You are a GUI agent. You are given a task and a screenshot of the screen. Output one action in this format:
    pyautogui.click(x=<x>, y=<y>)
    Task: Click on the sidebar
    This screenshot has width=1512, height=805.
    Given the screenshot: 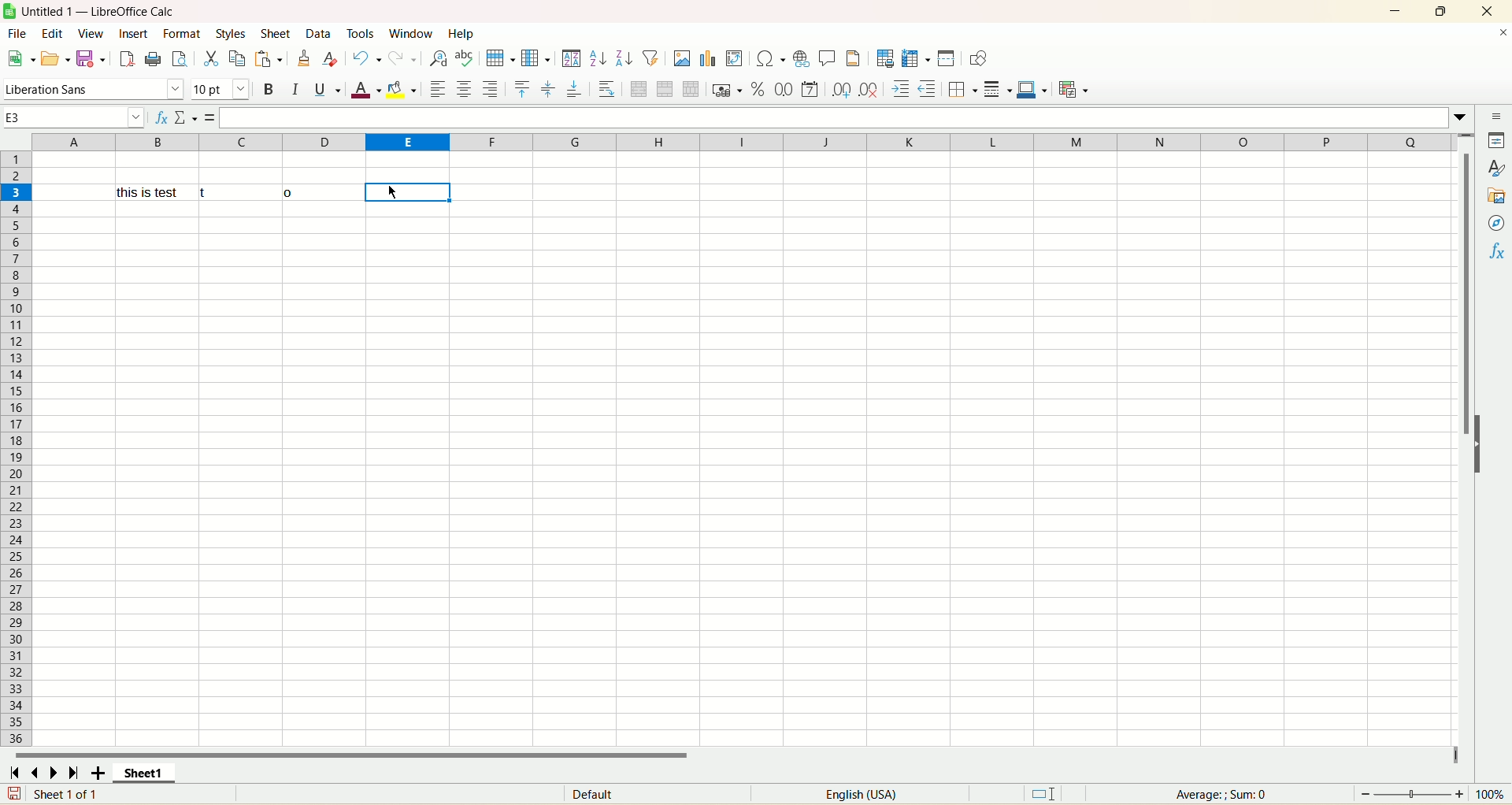 What is the action you would take?
    pyautogui.click(x=1499, y=117)
    